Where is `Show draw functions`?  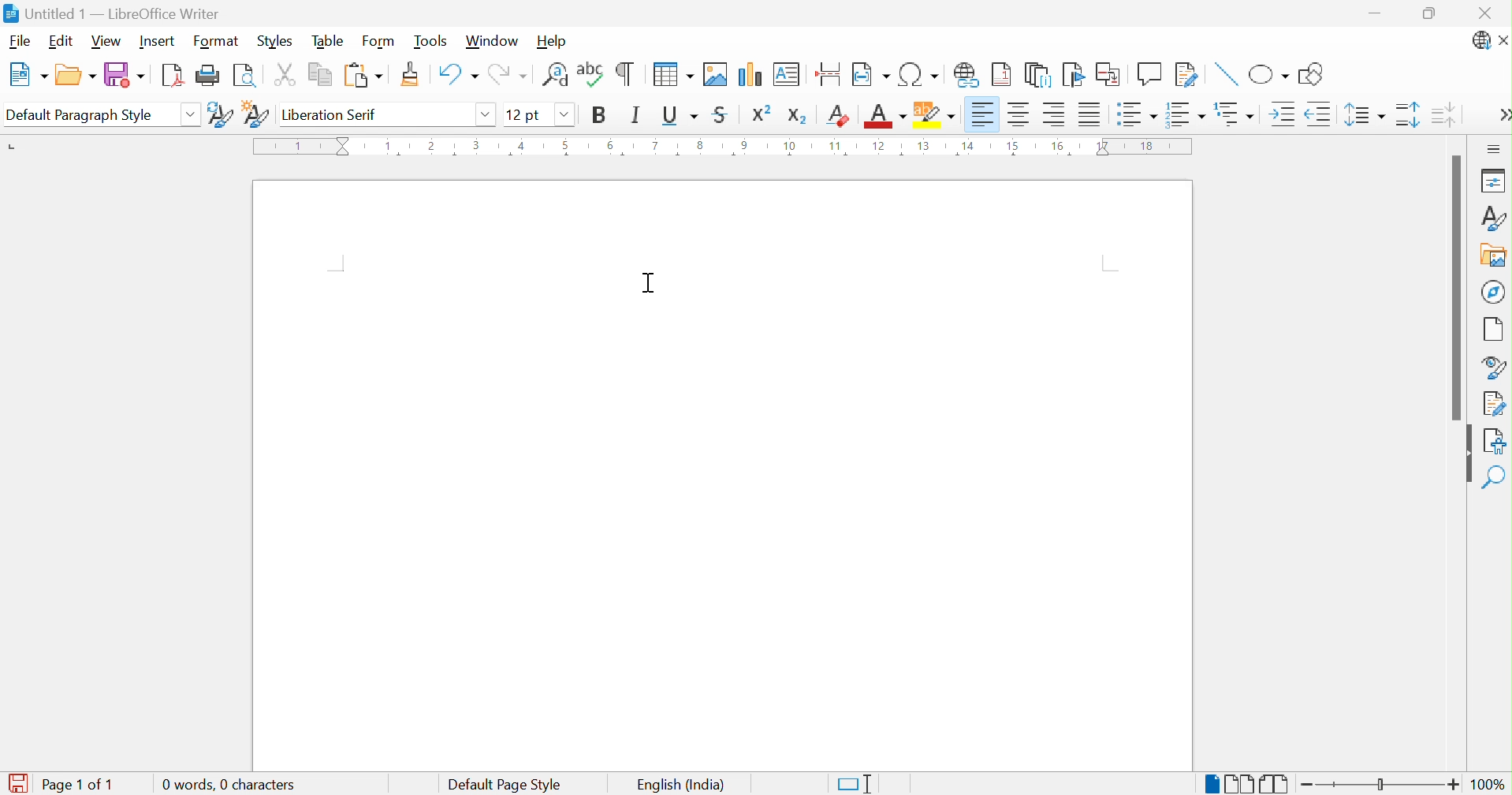
Show draw functions is located at coordinates (1315, 73).